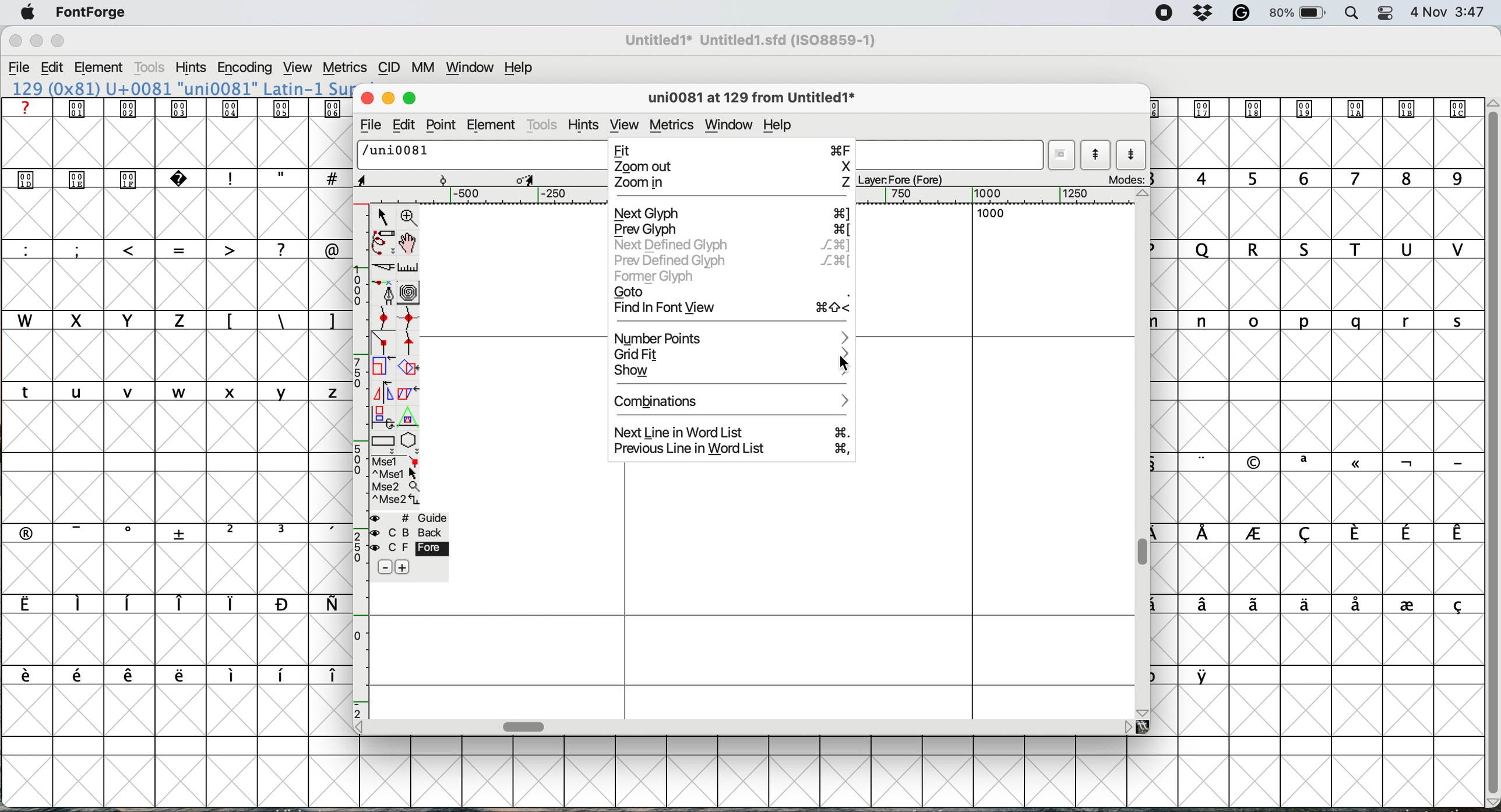 The width and height of the screenshot is (1501, 812). I want to click on Scroll Button, so click(1127, 728).